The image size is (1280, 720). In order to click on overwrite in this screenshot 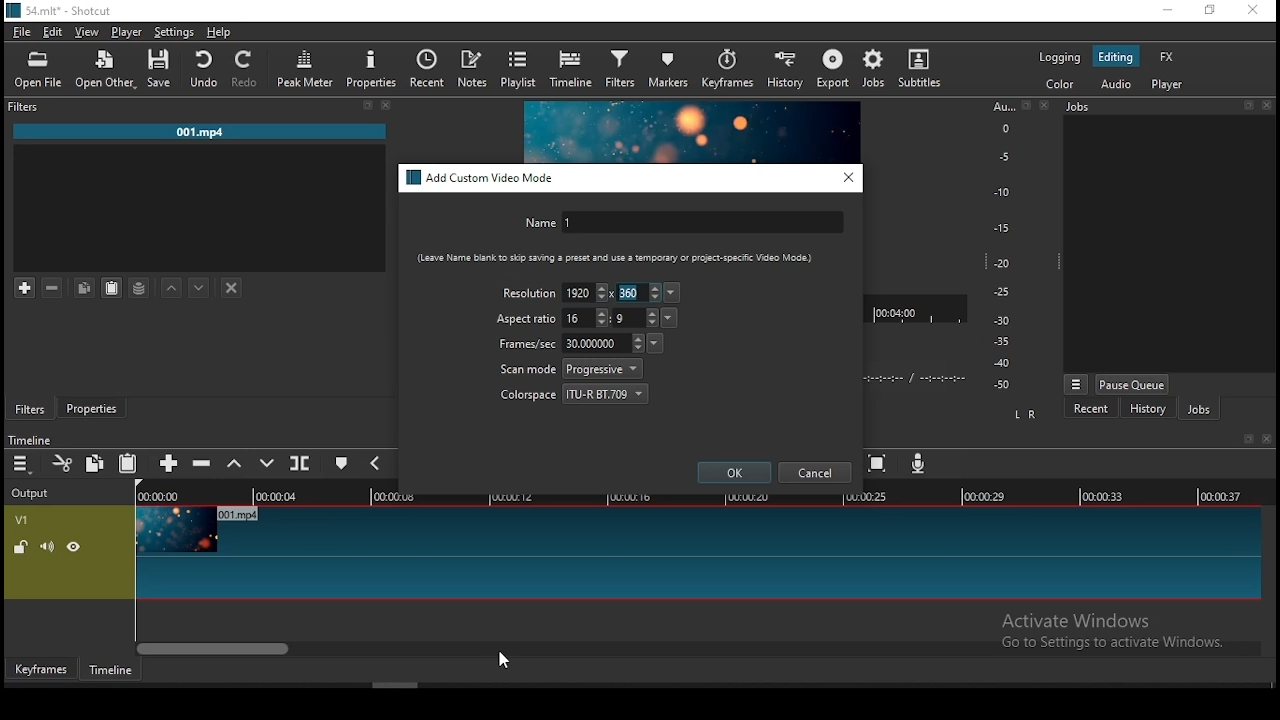, I will do `click(269, 463)`.